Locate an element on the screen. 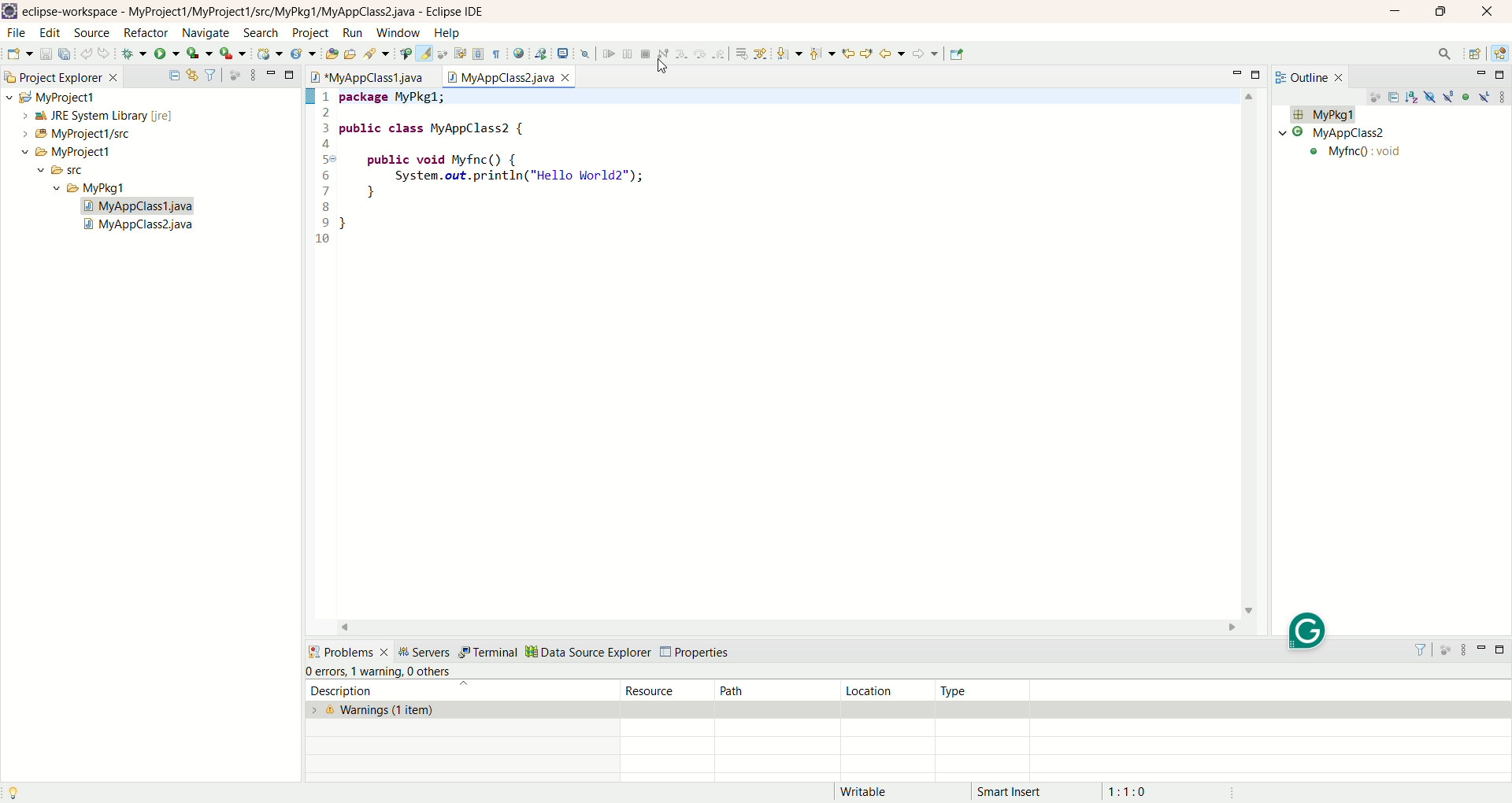 This screenshot has height=803, width=1512. undo is located at coordinates (88, 54).